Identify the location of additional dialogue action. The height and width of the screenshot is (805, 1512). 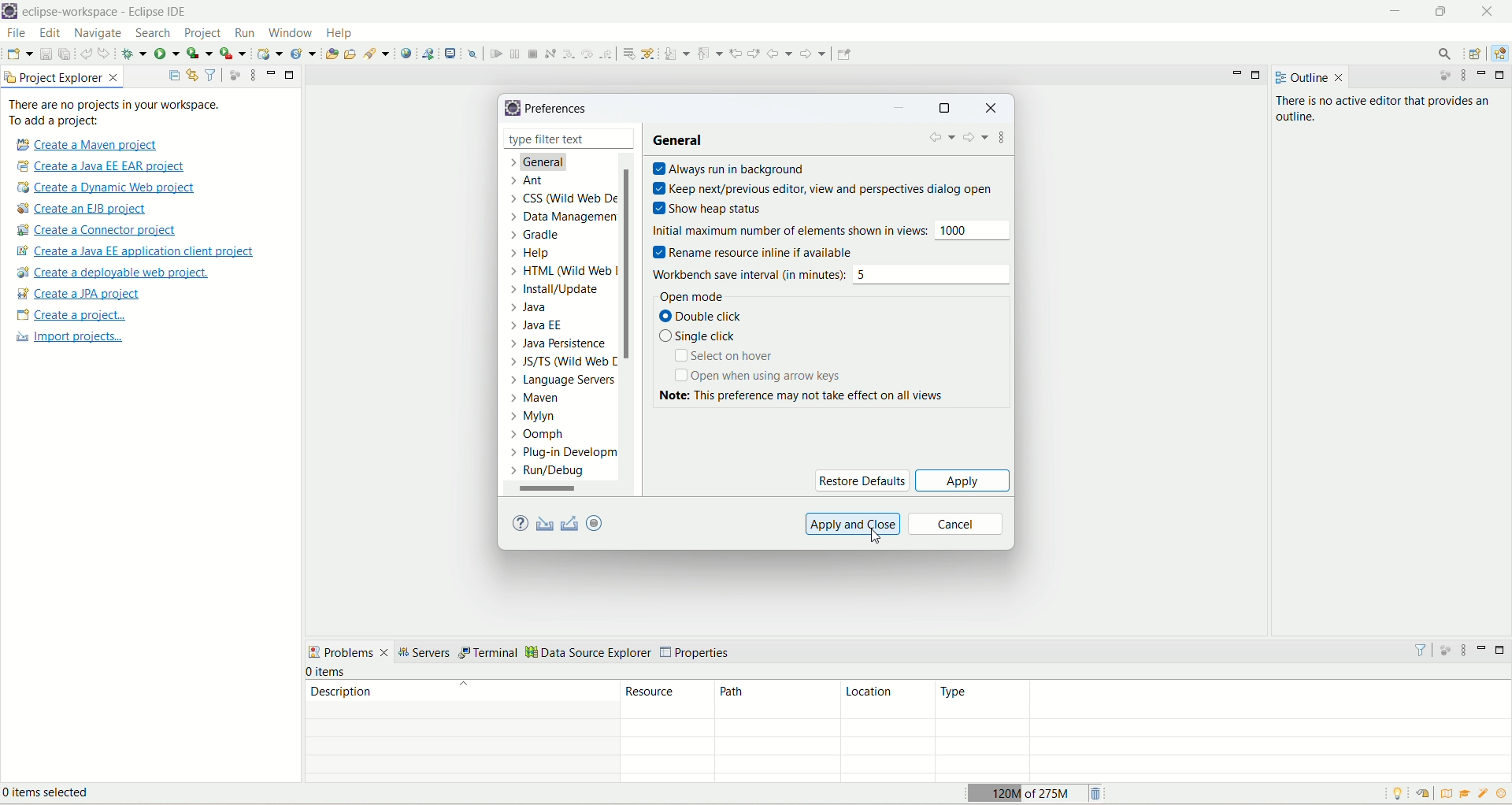
(1003, 140).